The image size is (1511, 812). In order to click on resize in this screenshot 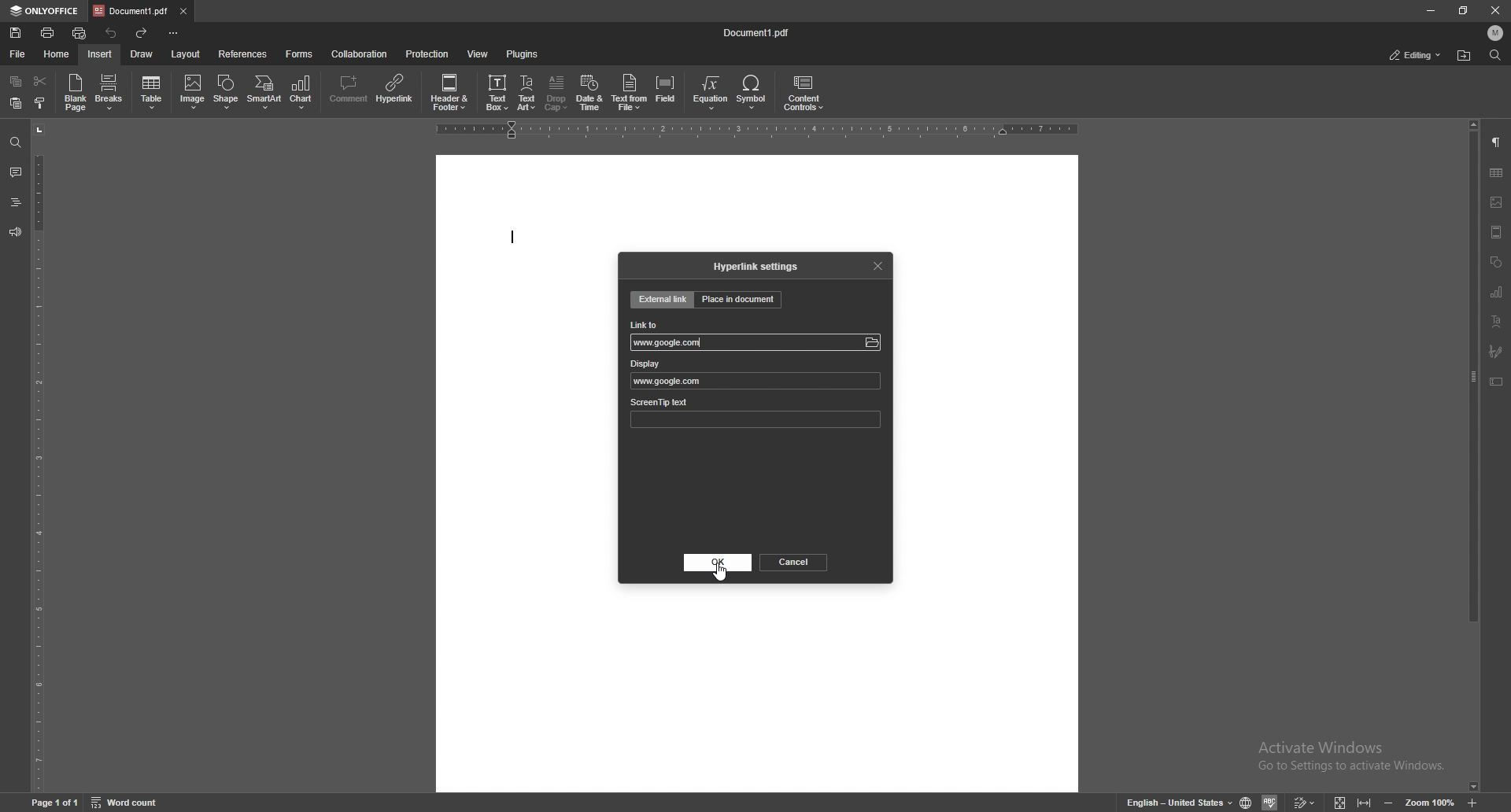, I will do `click(1466, 9)`.